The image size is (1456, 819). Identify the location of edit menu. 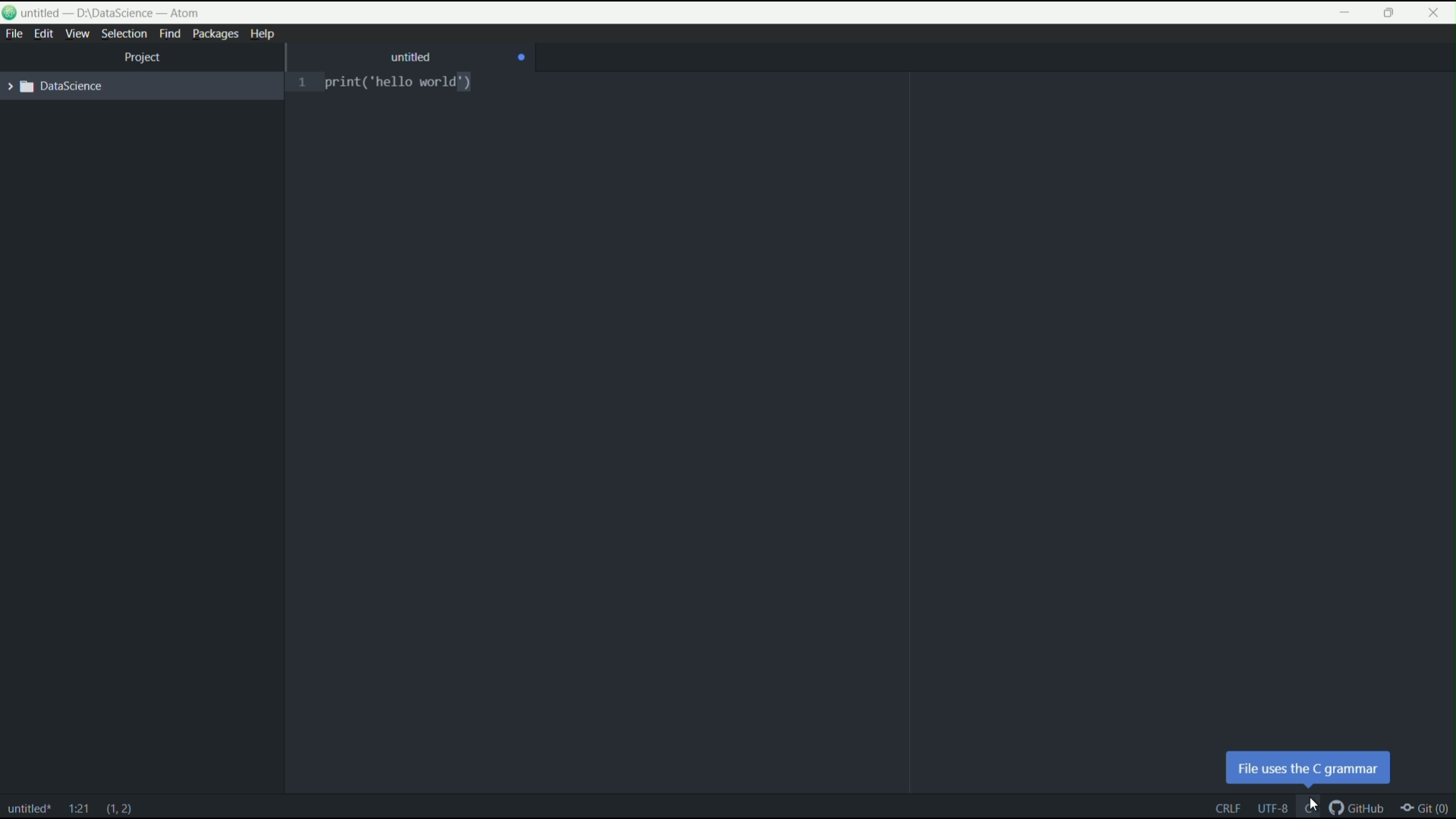
(44, 34).